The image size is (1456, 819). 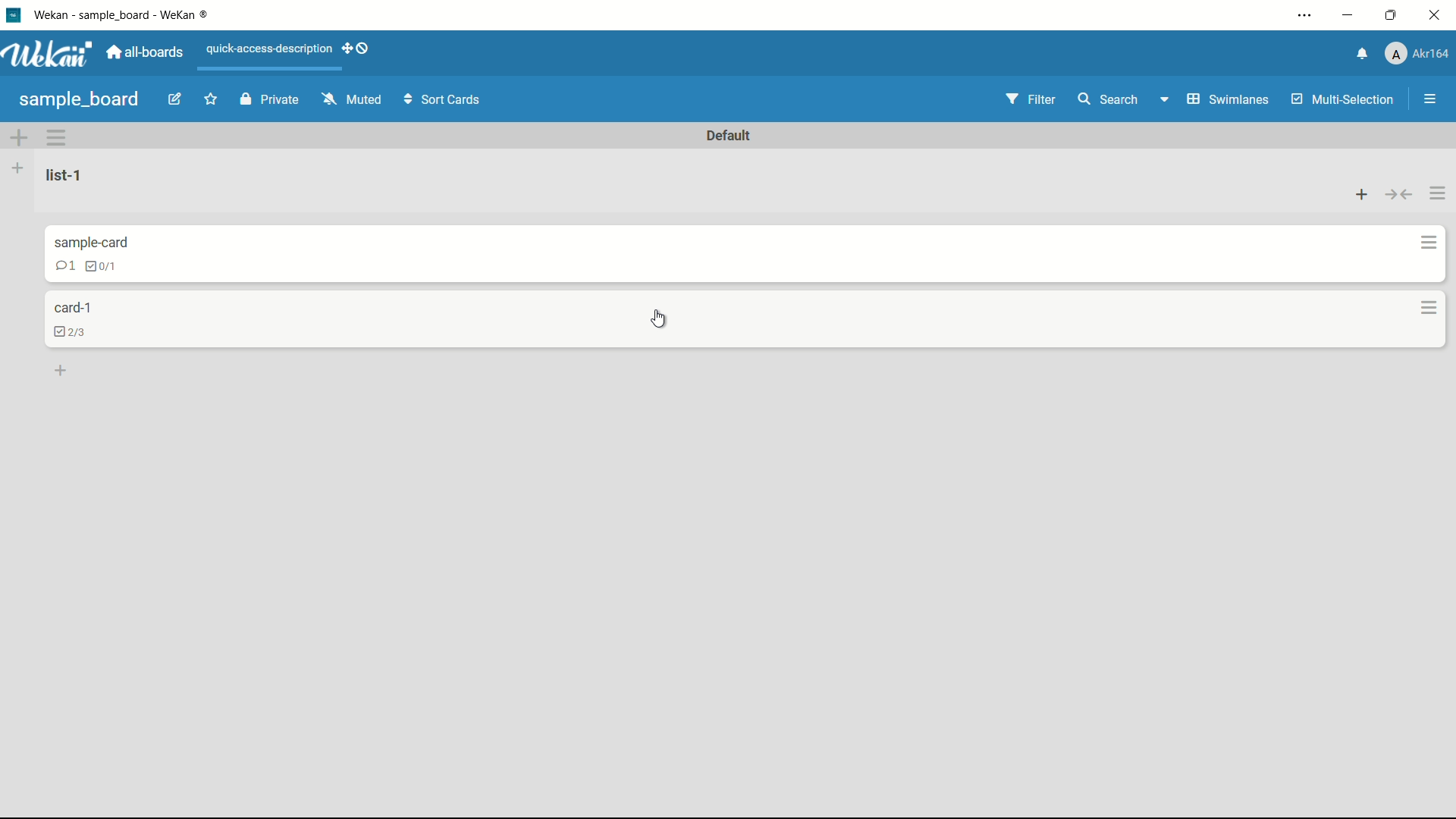 I want to click on list actions, so click(x=1437, y=193).